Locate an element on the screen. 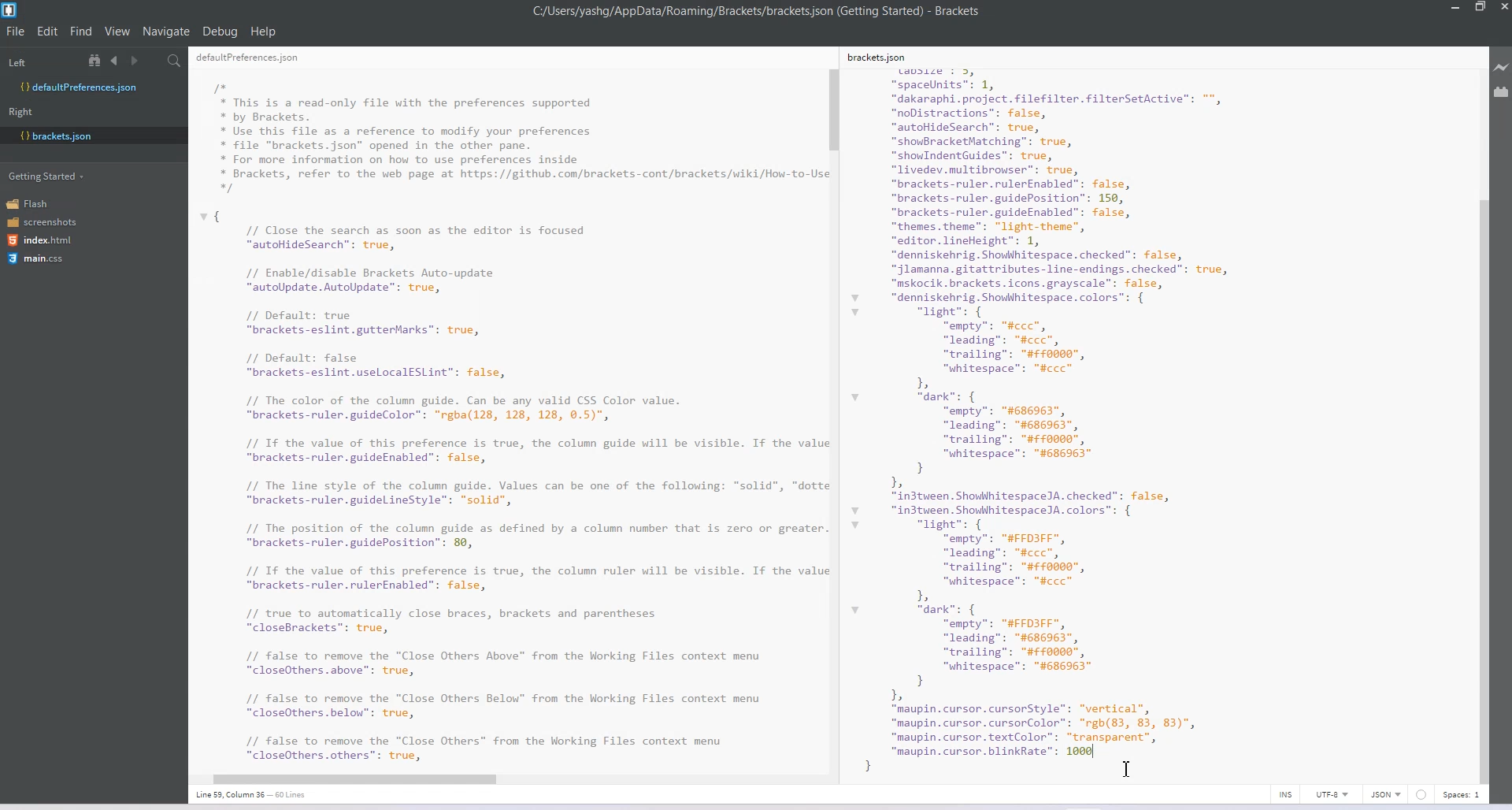 The height and width of the screenshot is (810, 1512). Left is located at coordinates (17, 63).